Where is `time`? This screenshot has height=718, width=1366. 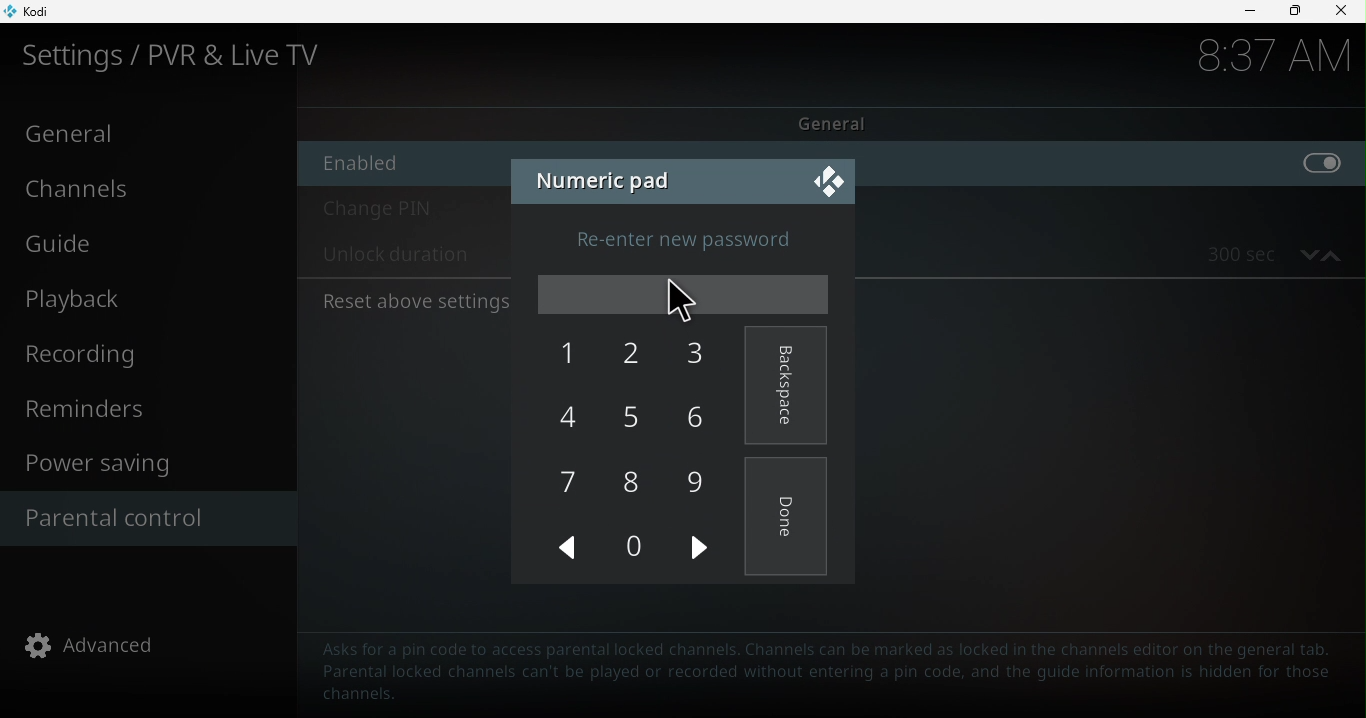
time is located at coordinates (1257, 60).